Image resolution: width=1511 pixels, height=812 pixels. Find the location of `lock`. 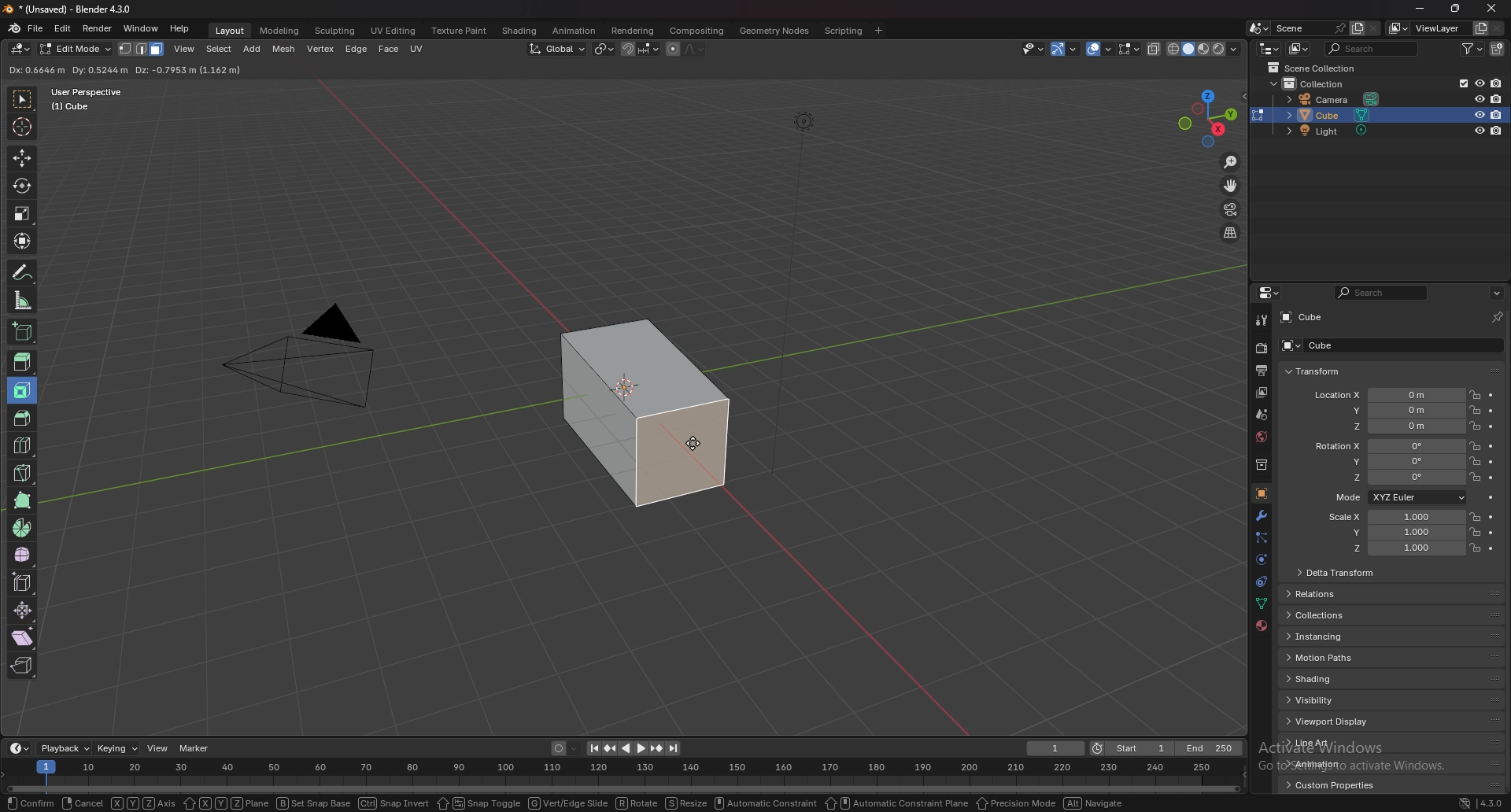

lock is located at coordinates (1475, 409).